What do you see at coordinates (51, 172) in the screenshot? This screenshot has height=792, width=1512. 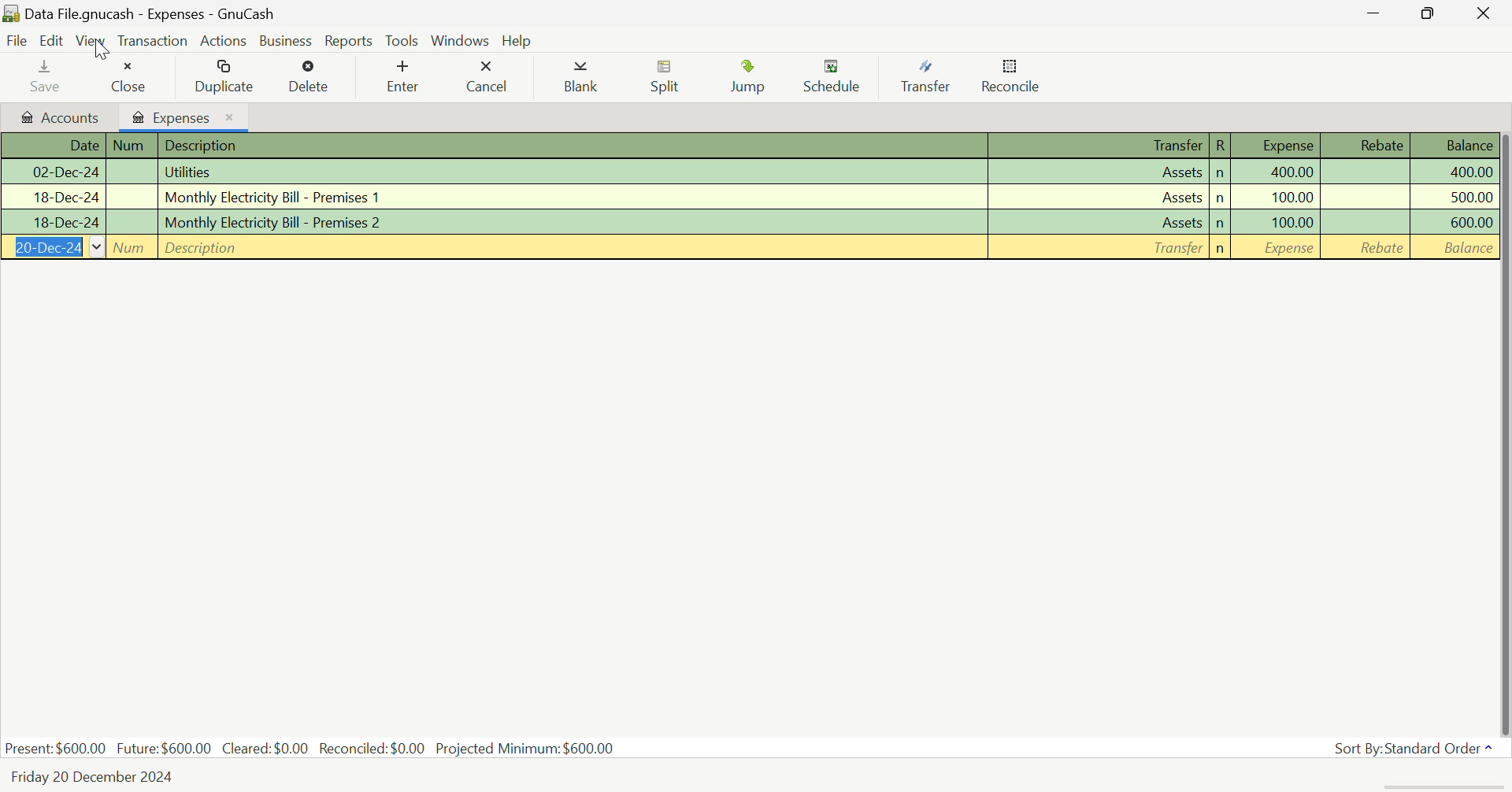 I see `Date` at bounding box center [51, 172].